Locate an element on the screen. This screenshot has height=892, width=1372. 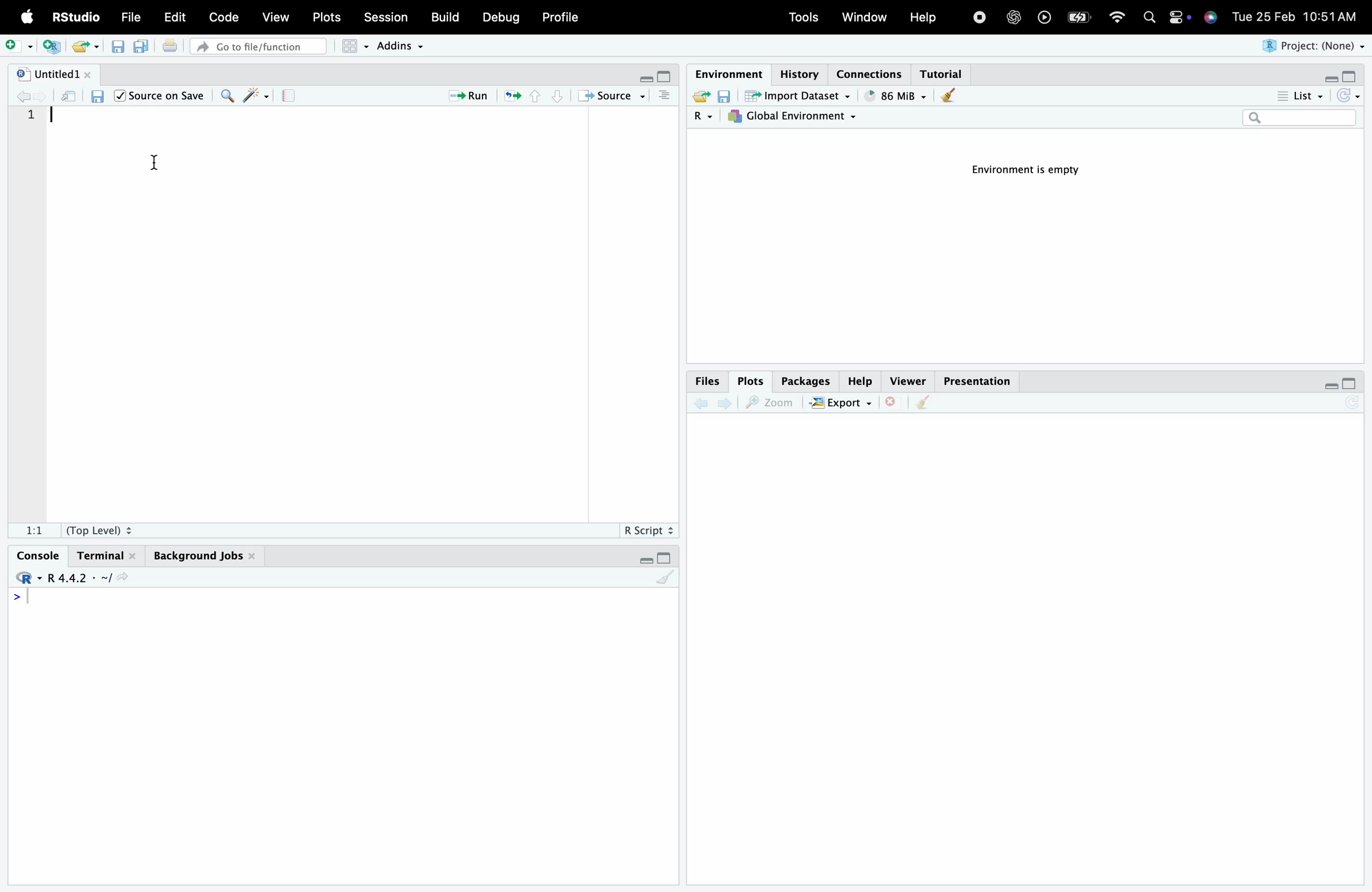
Help is located at coordinates (924, 16).